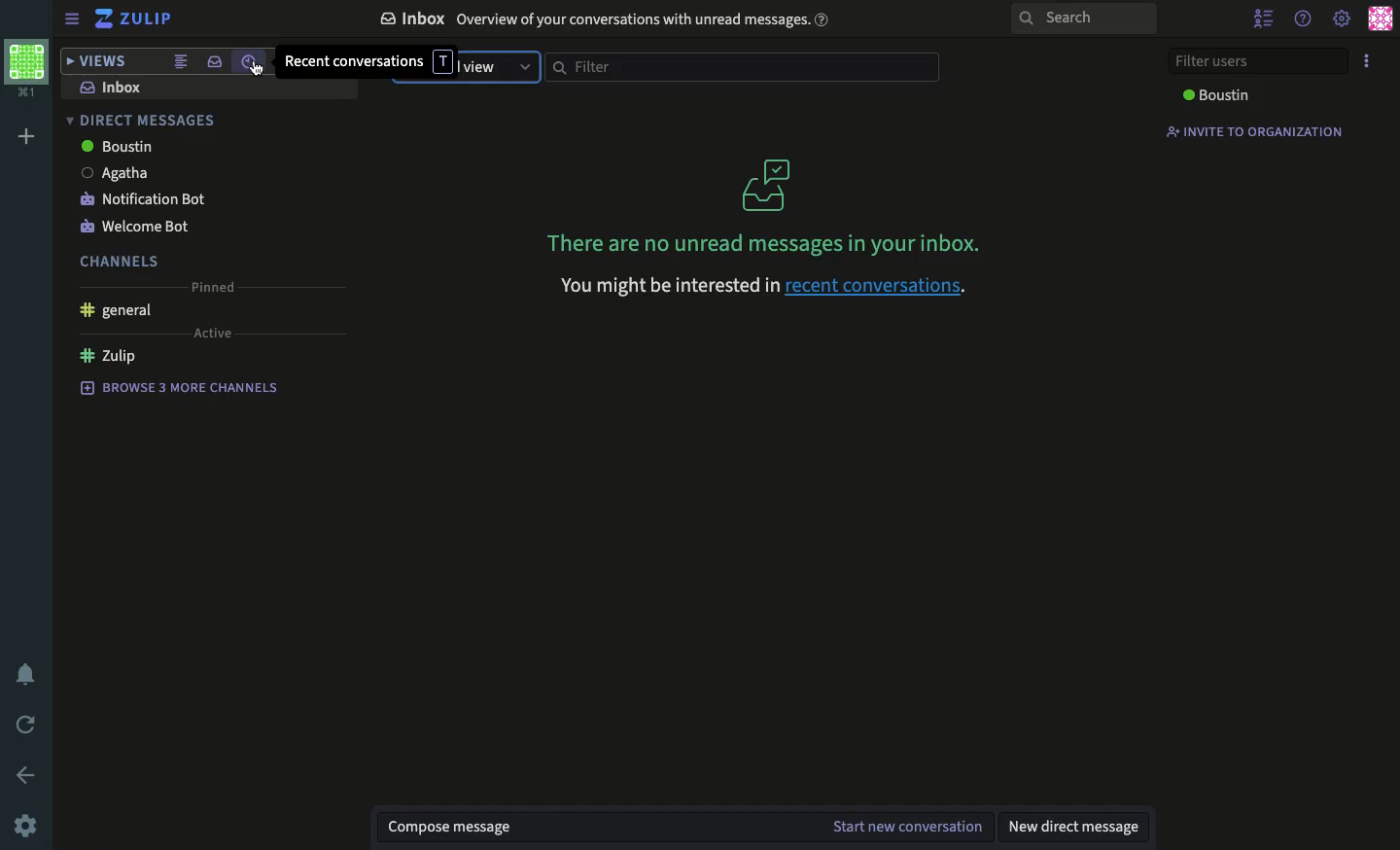 This screenshot has width=1400, height=850. What do you see at coordinates (741, 67) in the screenshot?
I see `filter` at bounding box center [741, 67].